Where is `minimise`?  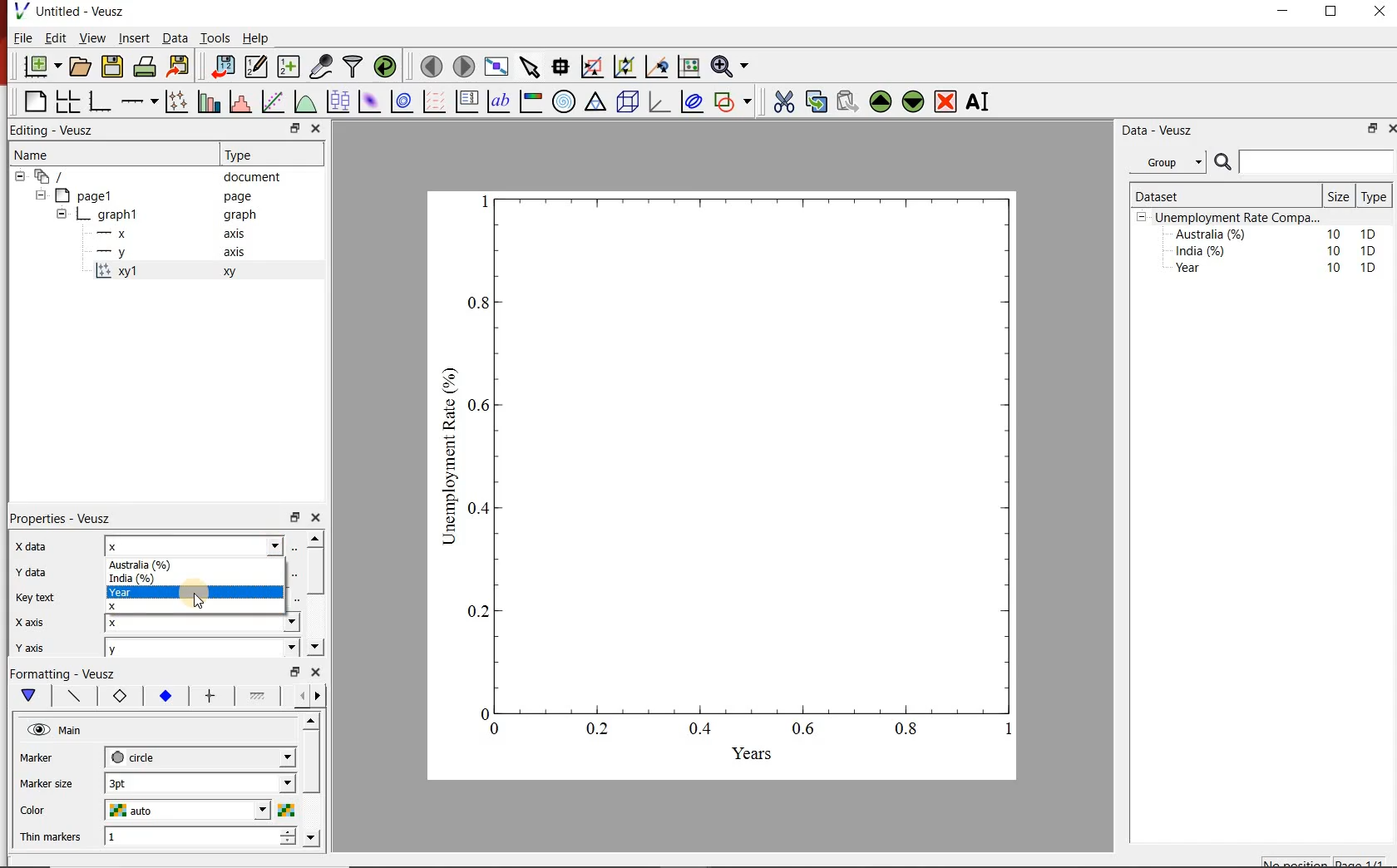 minimise is located at coordinates (297, 128).